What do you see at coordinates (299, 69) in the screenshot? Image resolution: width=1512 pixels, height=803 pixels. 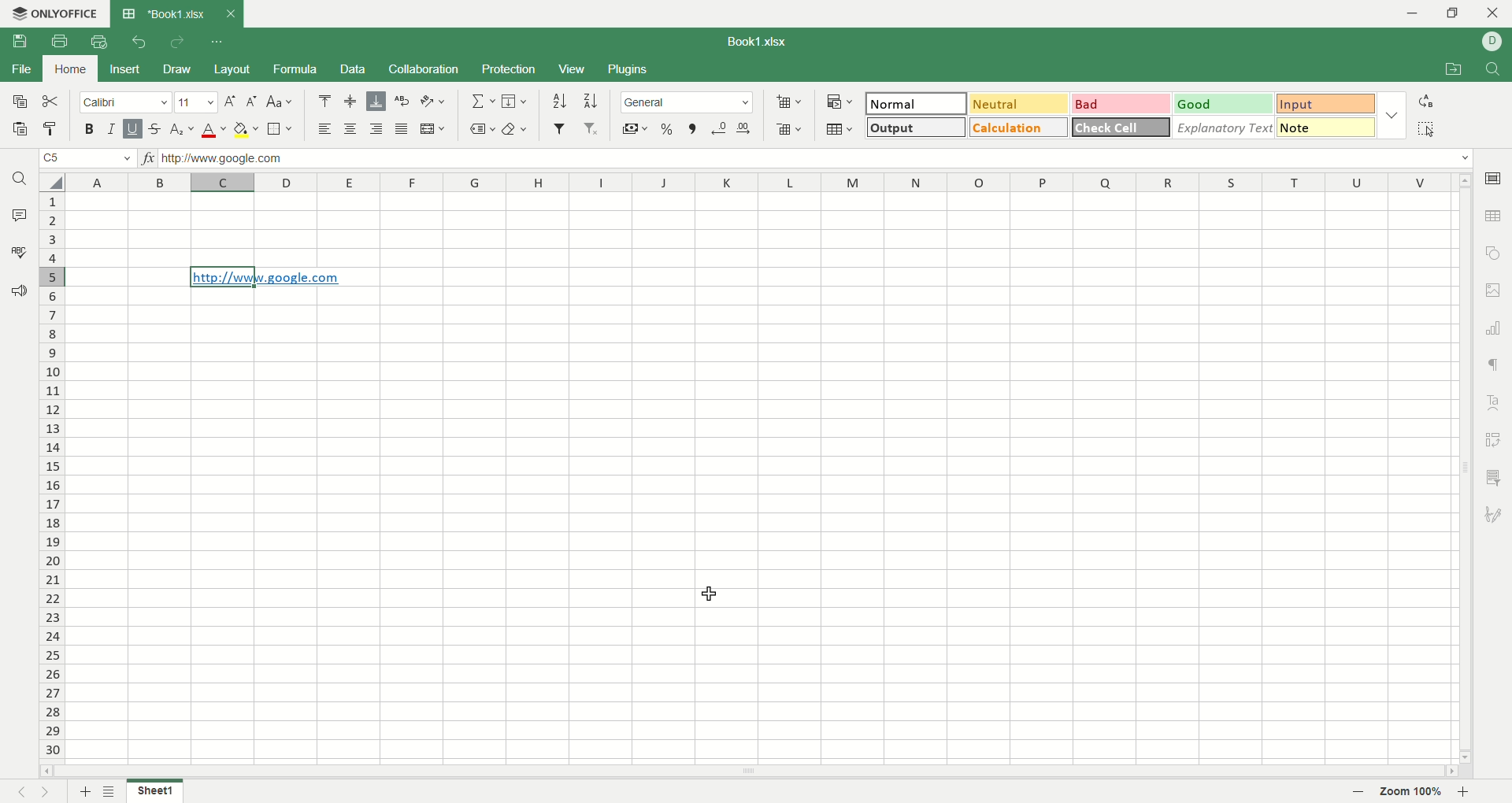 I see `formula` at bounding box center [299, 69].